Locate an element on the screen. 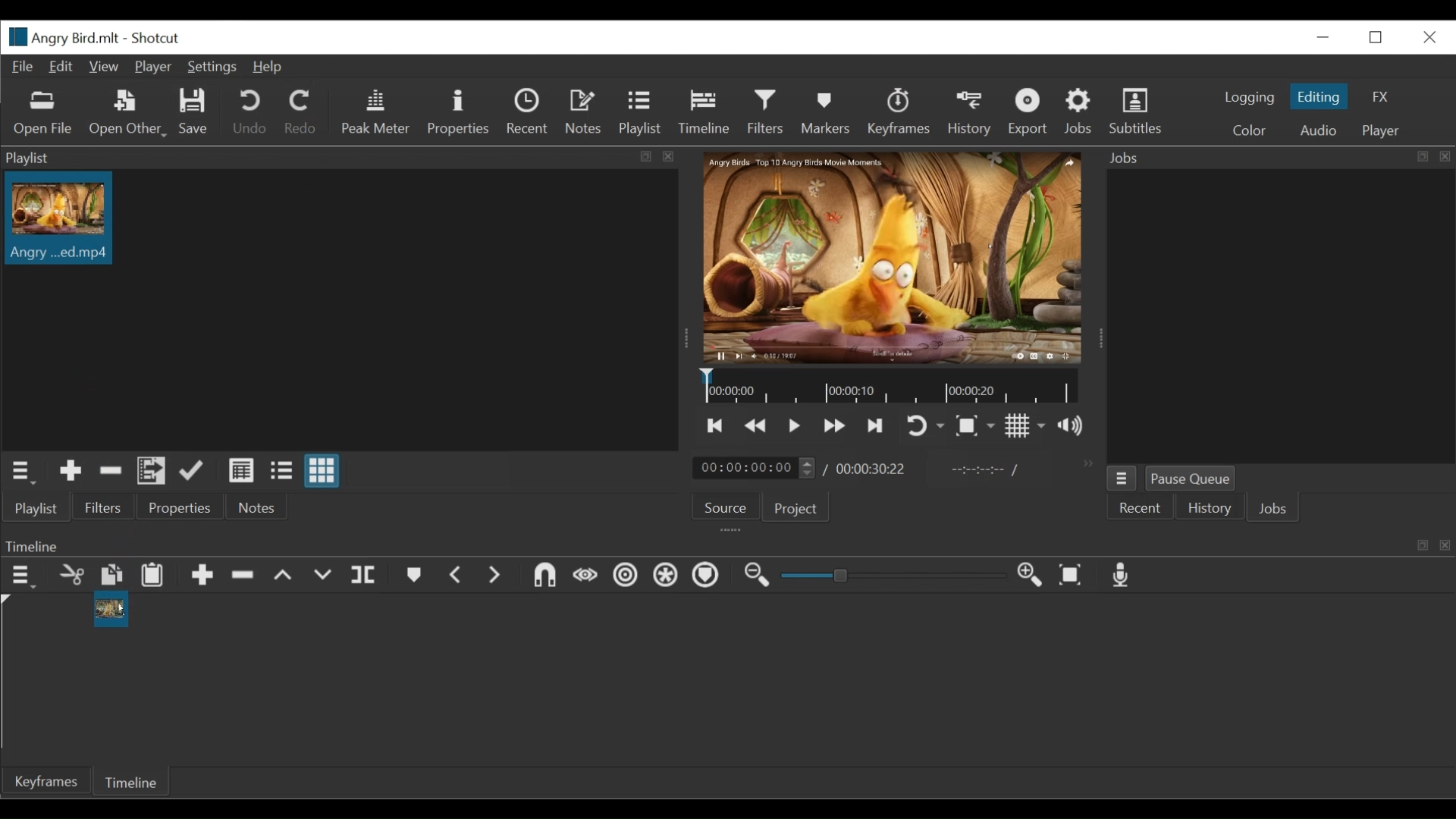 This screenshot has width=1456, height=819. Append is located at coordinates (201, 577).